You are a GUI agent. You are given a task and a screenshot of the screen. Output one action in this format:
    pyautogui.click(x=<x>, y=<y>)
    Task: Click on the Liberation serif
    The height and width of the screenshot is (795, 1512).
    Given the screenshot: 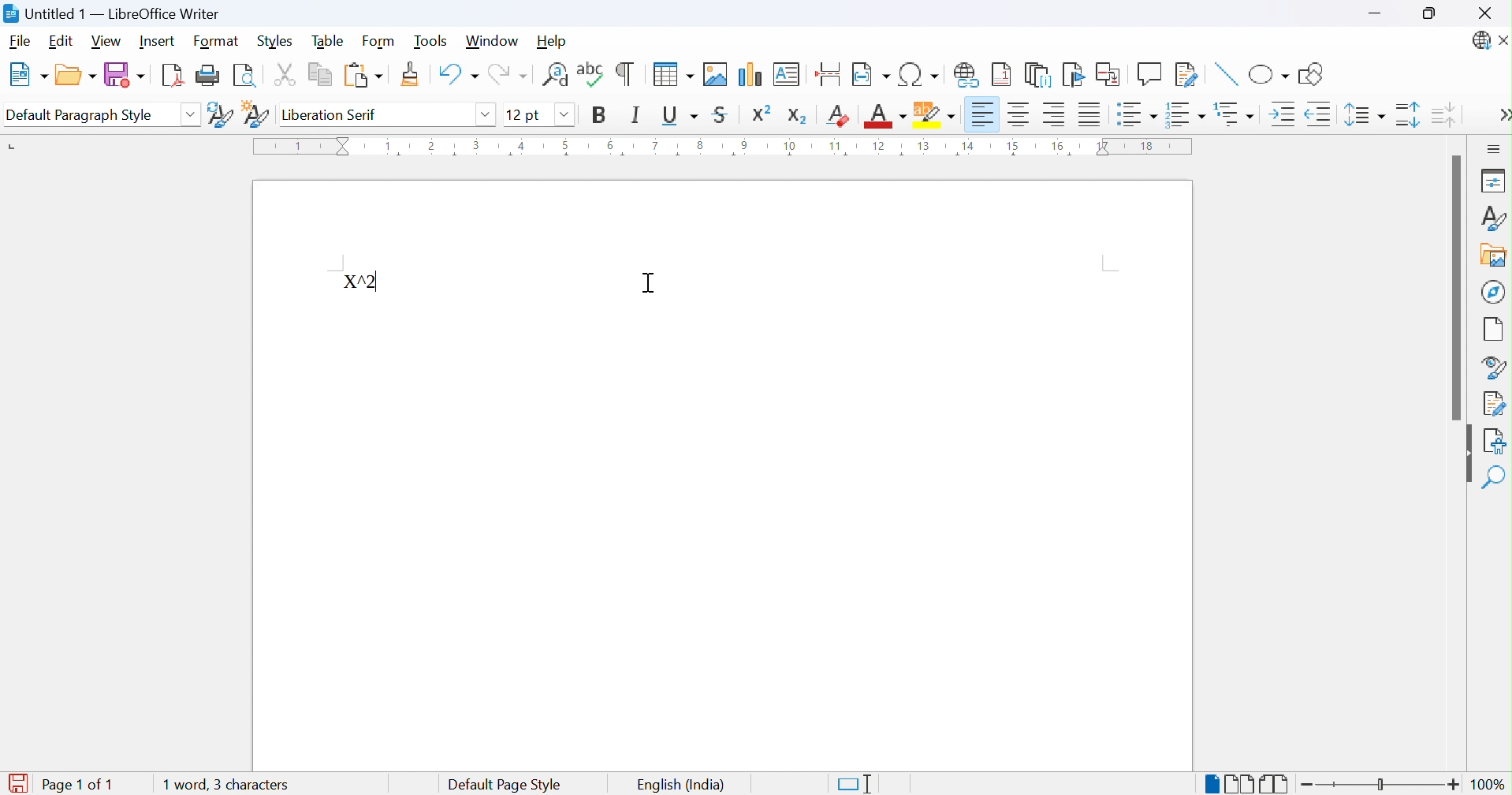 What is the action you would take?
    pyautogui.click(x=333, y=114)
    